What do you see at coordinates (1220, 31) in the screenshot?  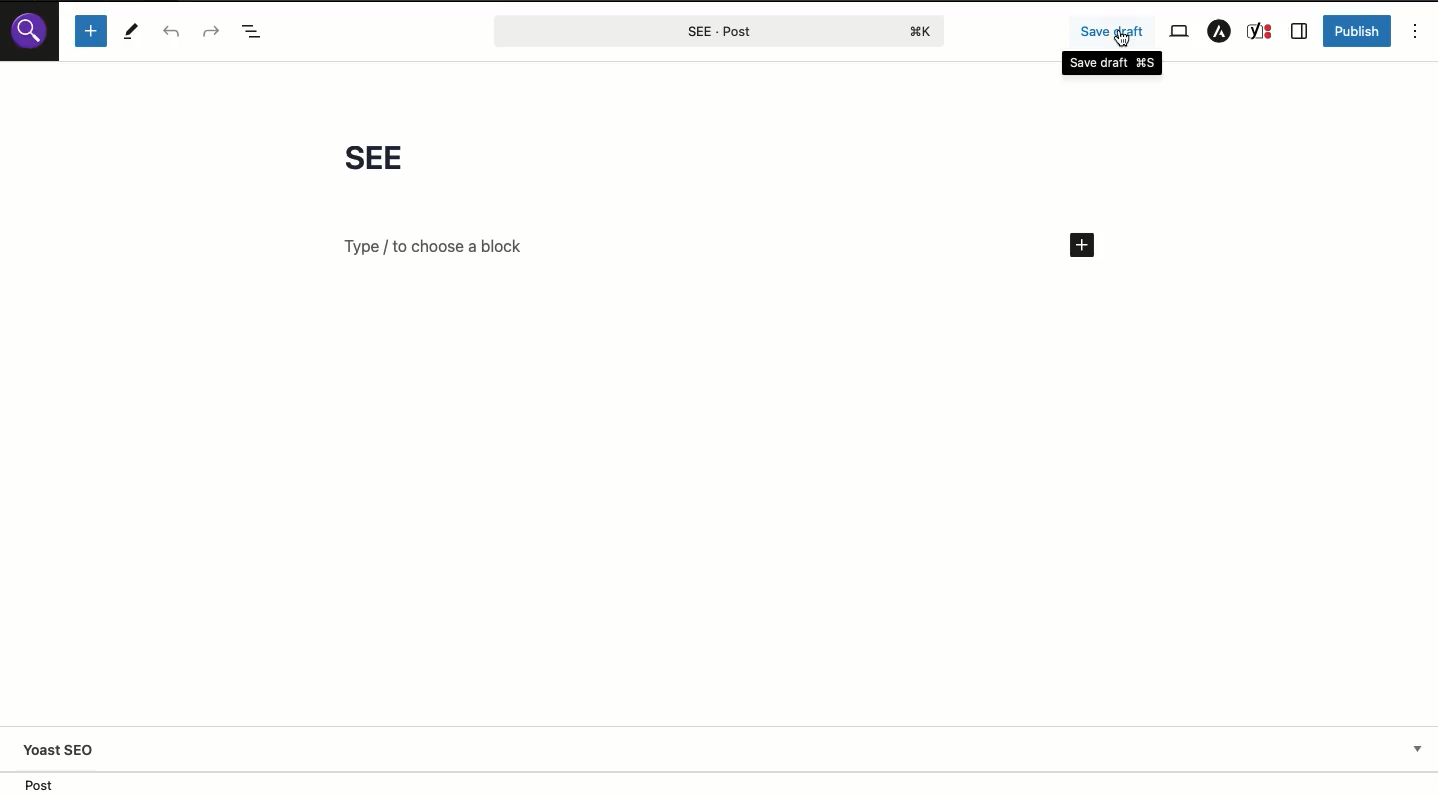 I see `Astra` at bounding box center [1220, 31].